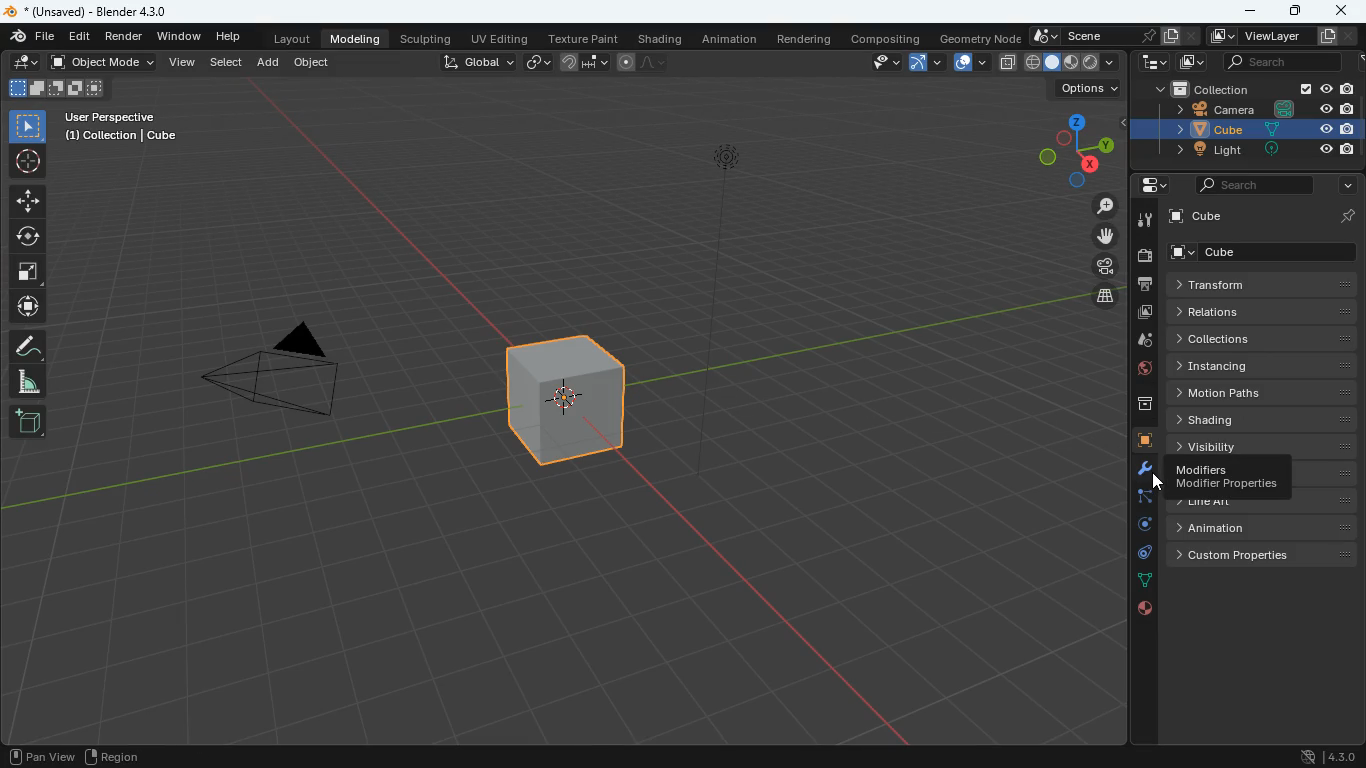  I want to click on image size, so click(55, 87).